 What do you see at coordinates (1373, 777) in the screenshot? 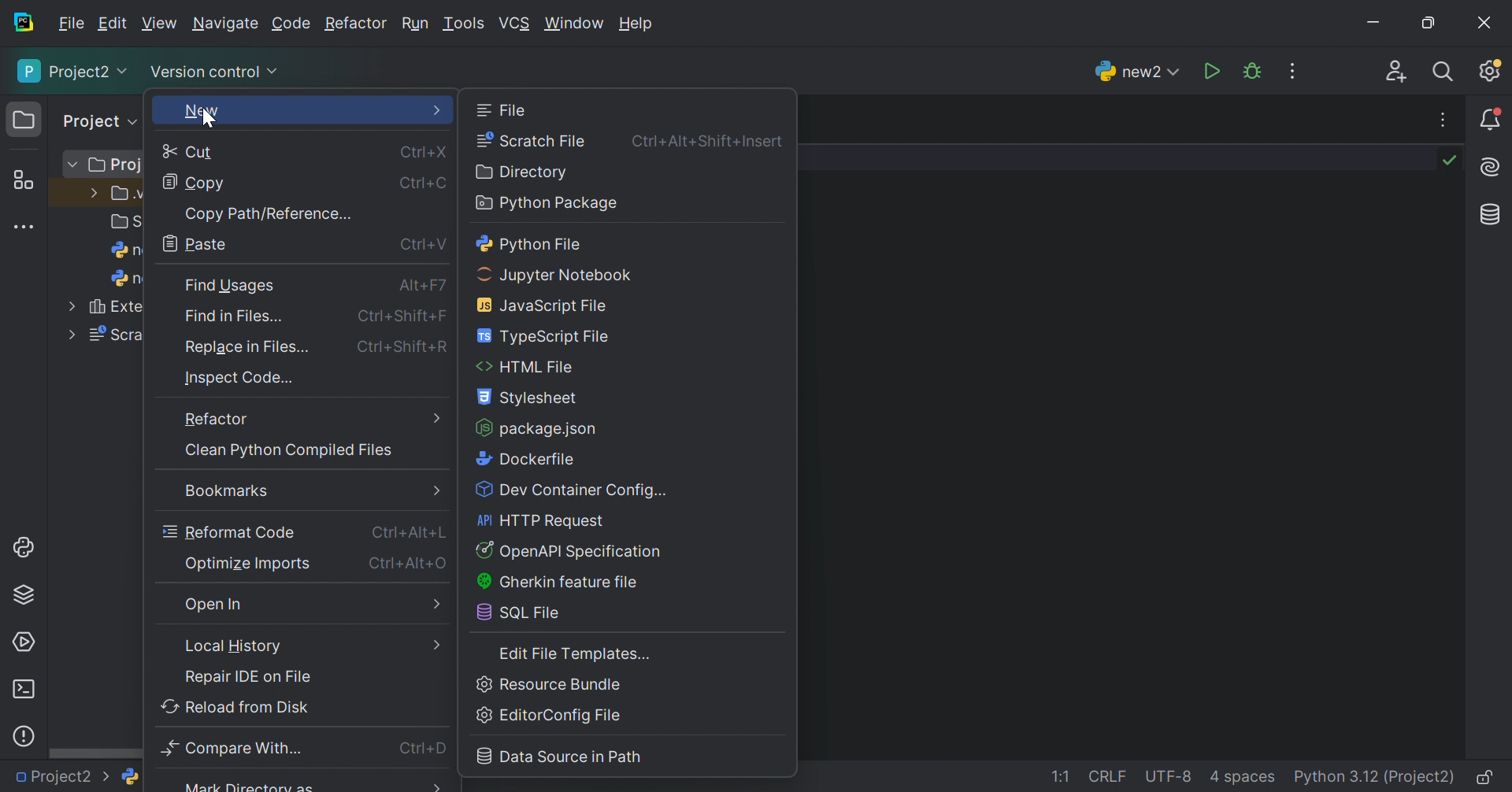
I see `Python 3.12 (Project2)` at bounding box center [1373, 777].